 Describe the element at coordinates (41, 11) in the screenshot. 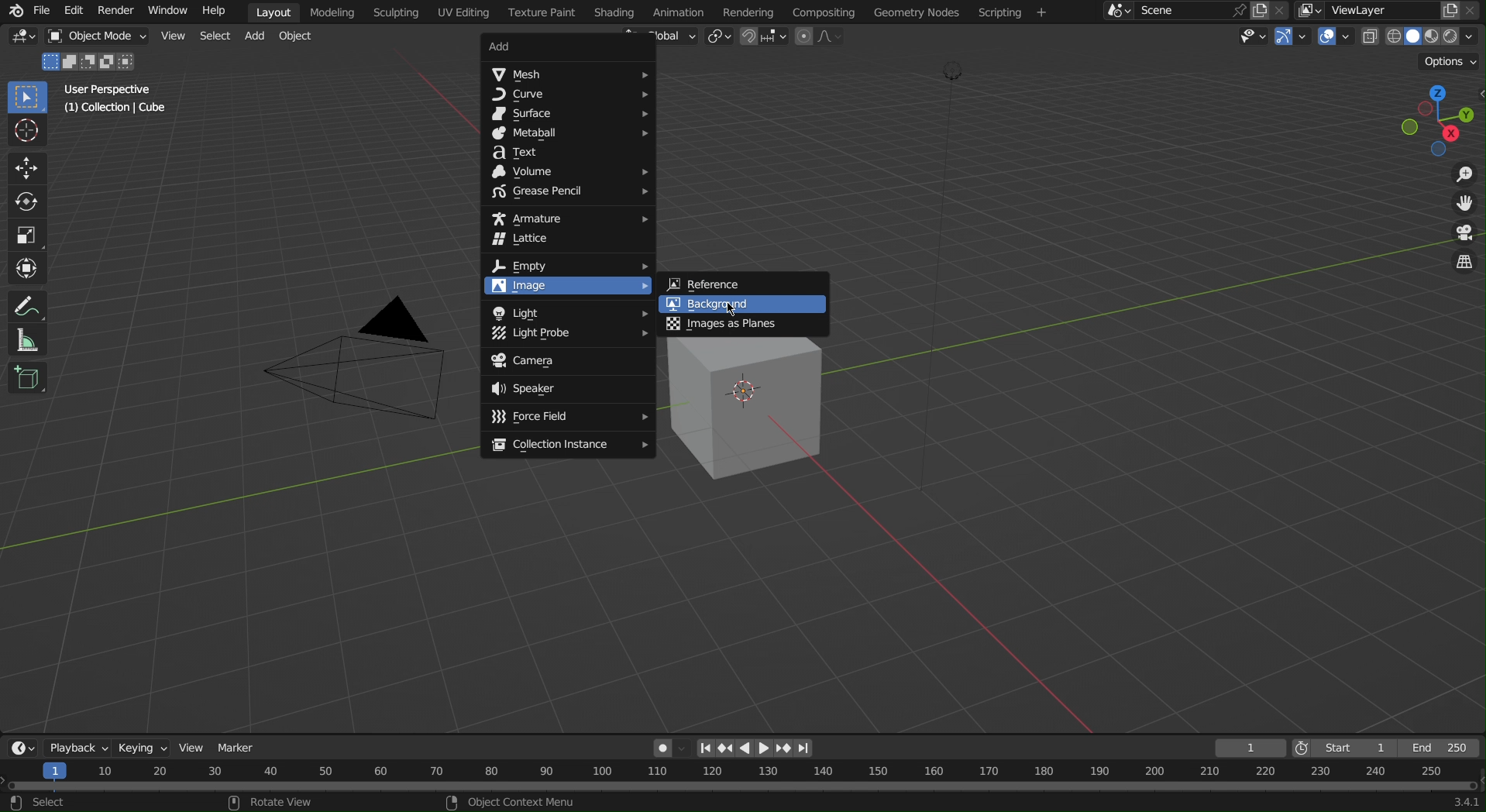

I see `File` at that location.